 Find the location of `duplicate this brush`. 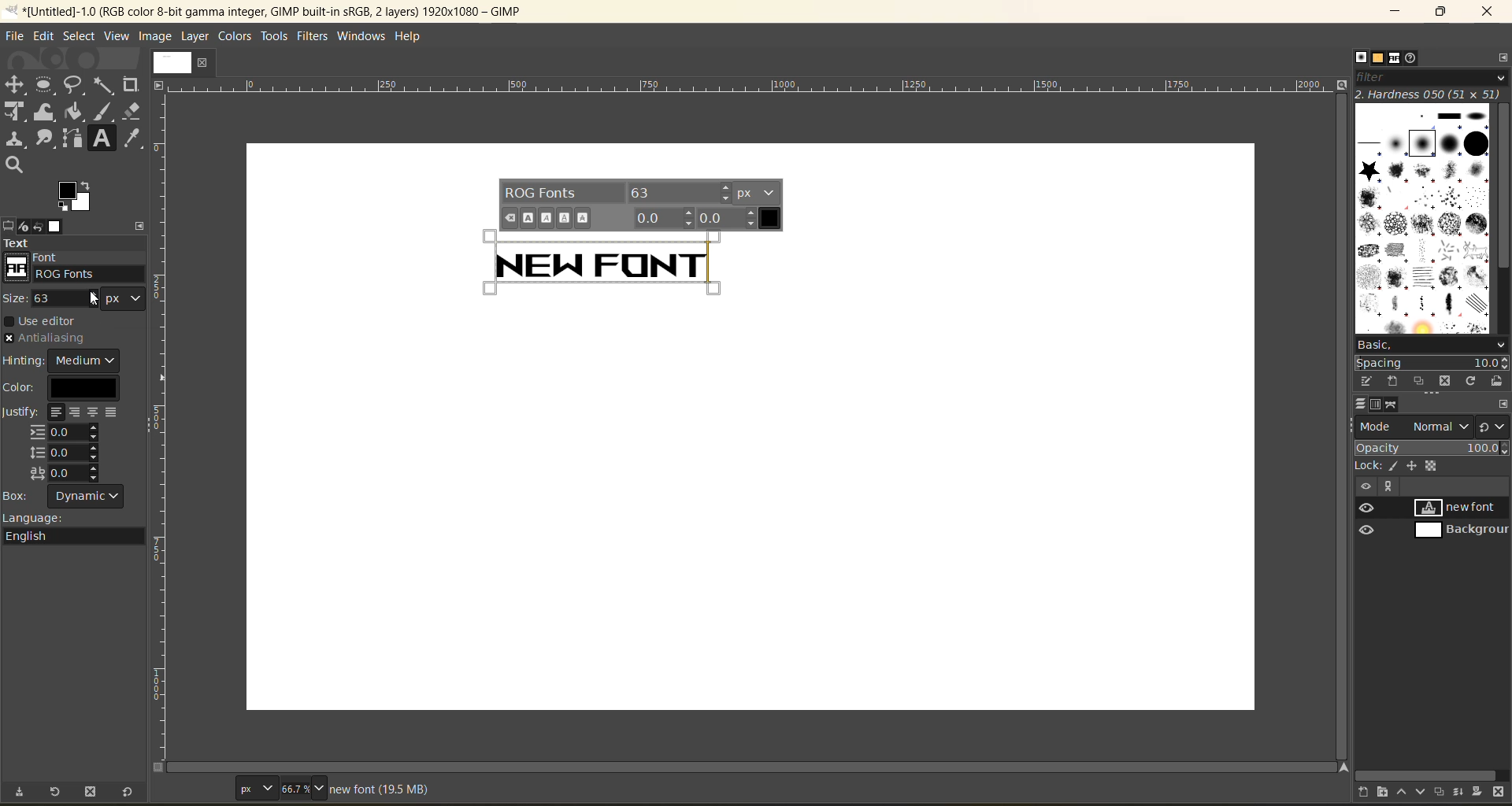

duplicate this brush is located at coordinates (1420, 380).